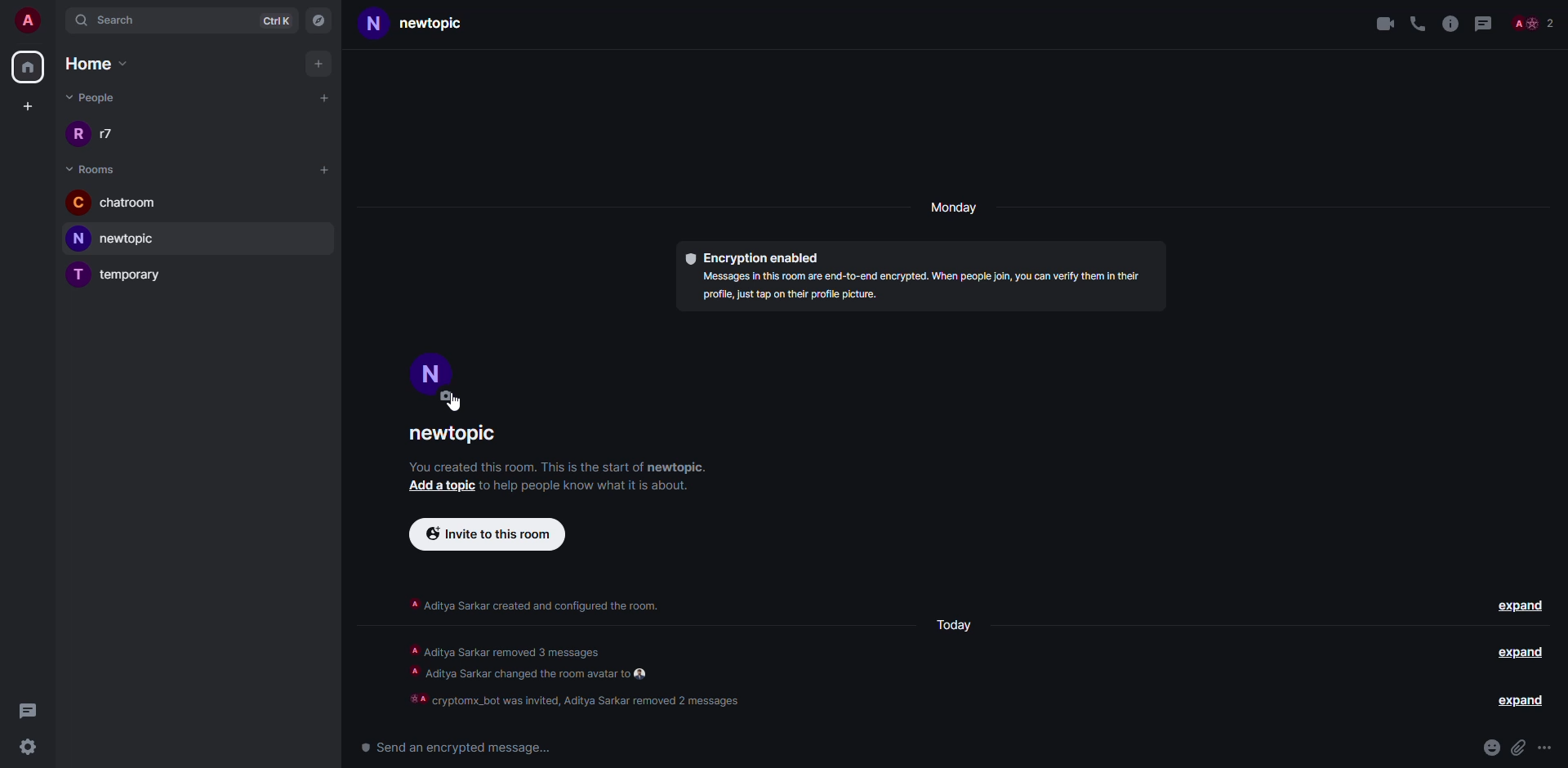  Describe the element at coordinates (578, 676) in the screenshot. I see `info` at that location.